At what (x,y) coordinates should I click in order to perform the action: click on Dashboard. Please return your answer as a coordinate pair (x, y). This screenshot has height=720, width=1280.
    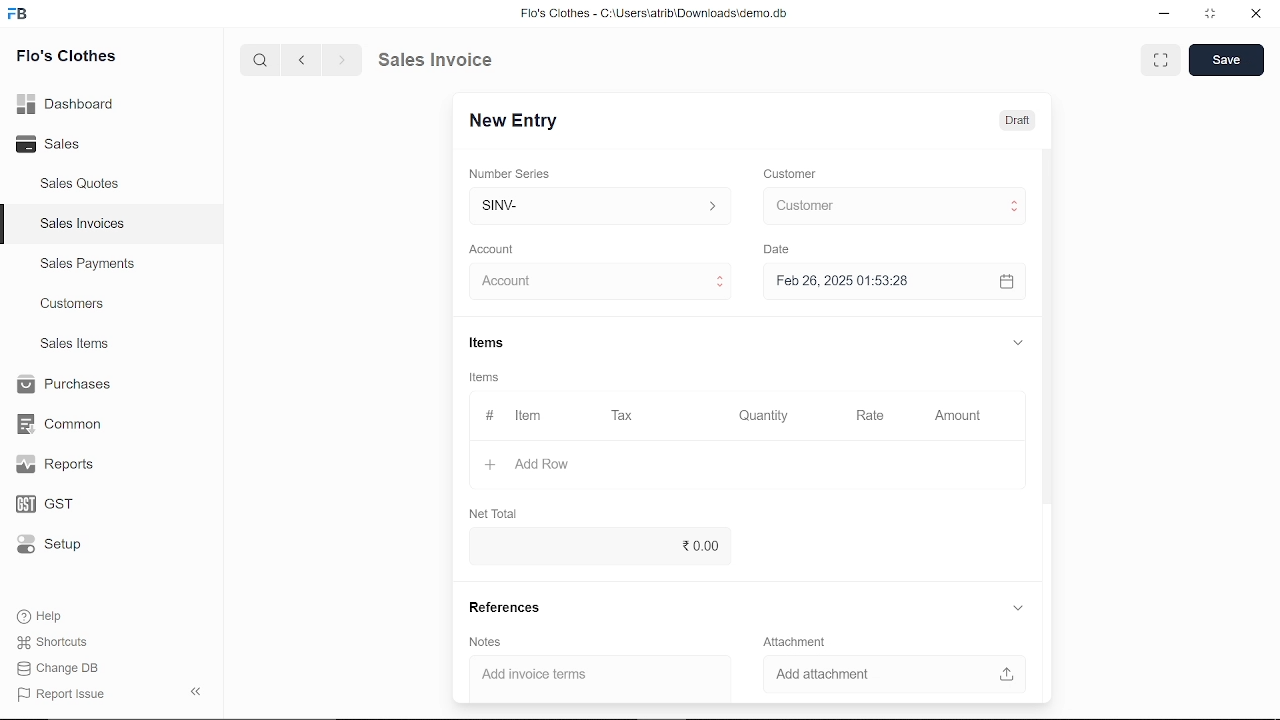
    Looking at the image, I should click on (70, 103).